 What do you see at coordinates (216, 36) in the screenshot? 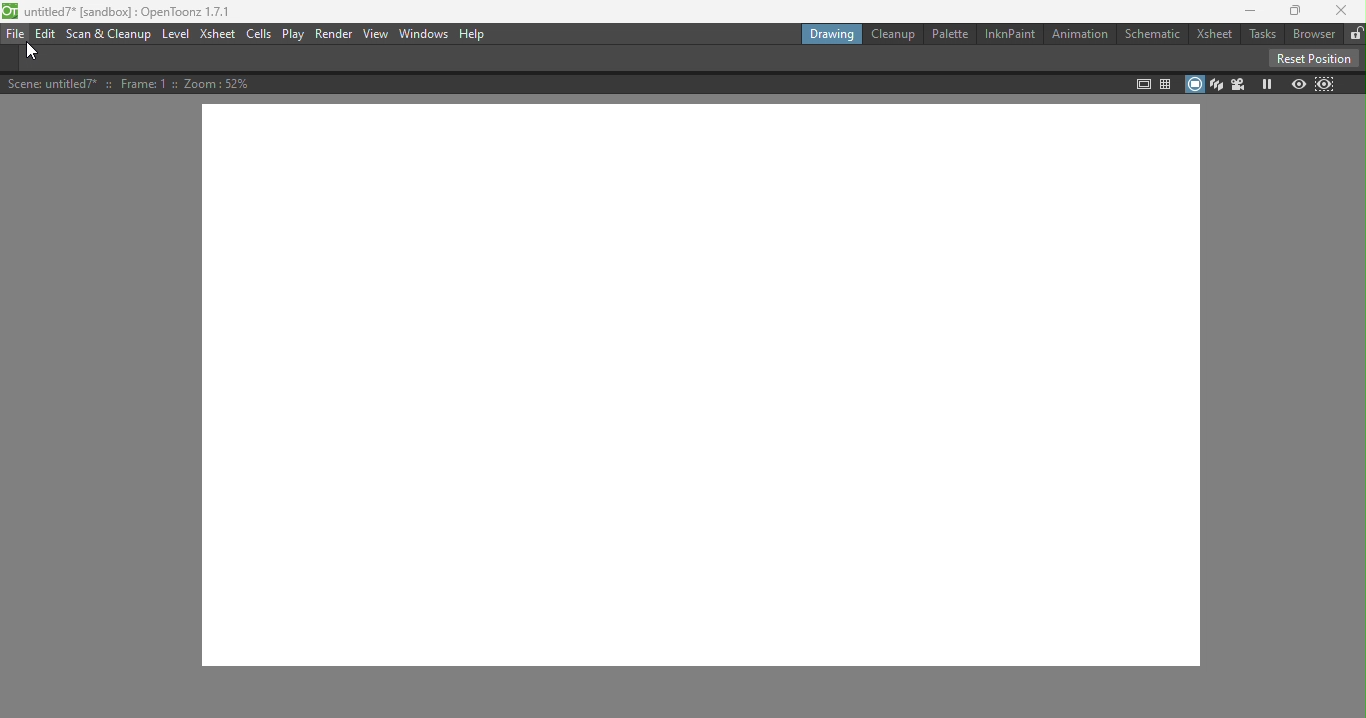
I see `Xsheet` at bounding box center [216, 36].